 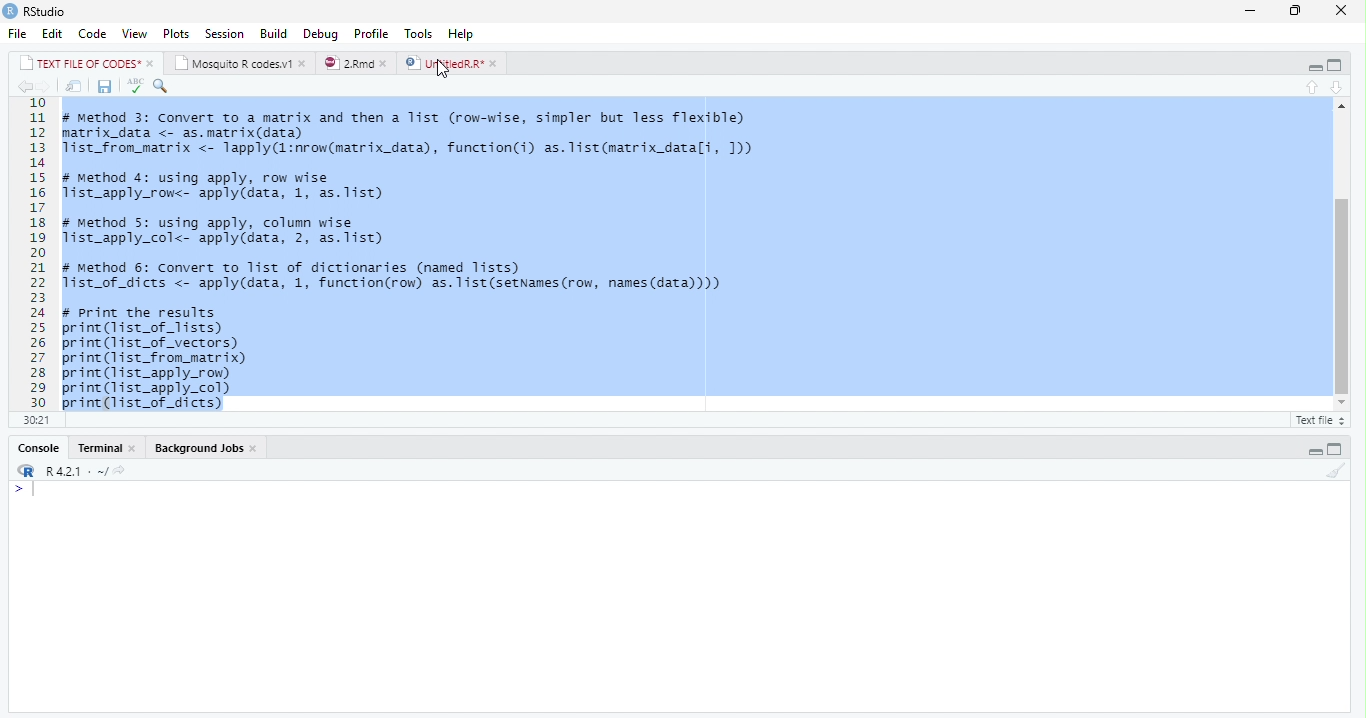 What do you see at coordinates (86, 63) in the screenshot?
I see `TEXT FILE OF CODES*` at bounding box center [86, 63].